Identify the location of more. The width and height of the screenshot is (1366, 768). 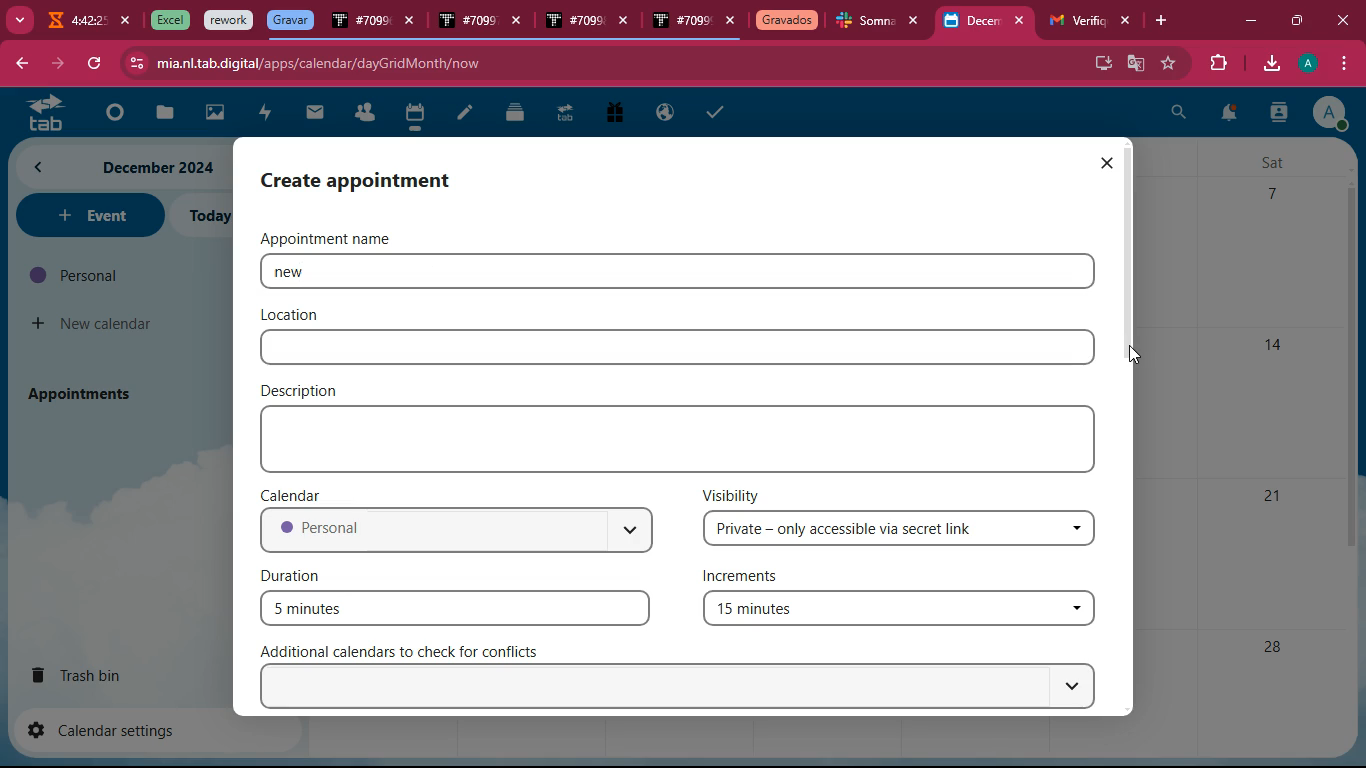
(18, 18).